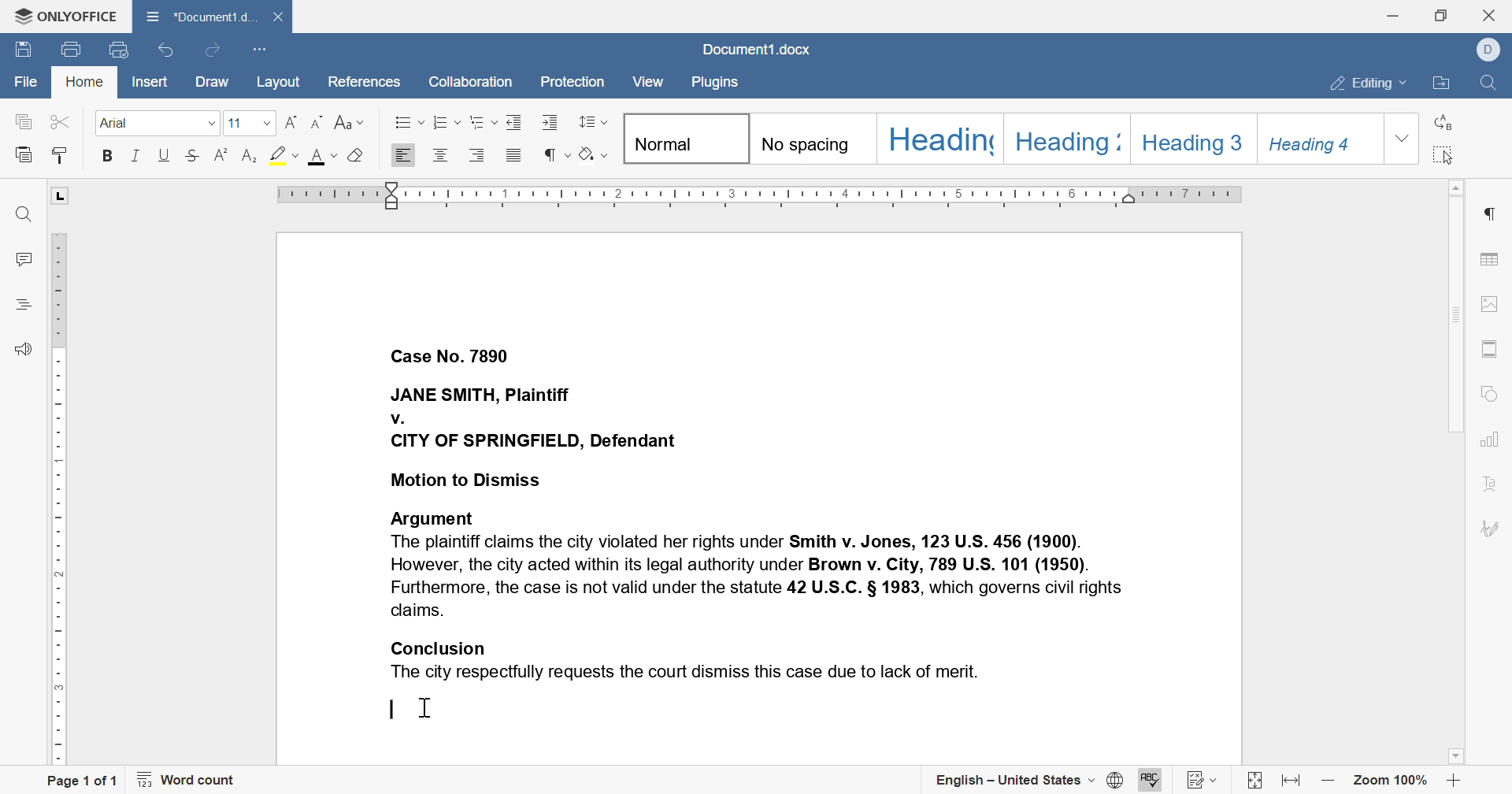 This screenshot has width=1512, height=794. I want to click on bold, so click(109, 156).